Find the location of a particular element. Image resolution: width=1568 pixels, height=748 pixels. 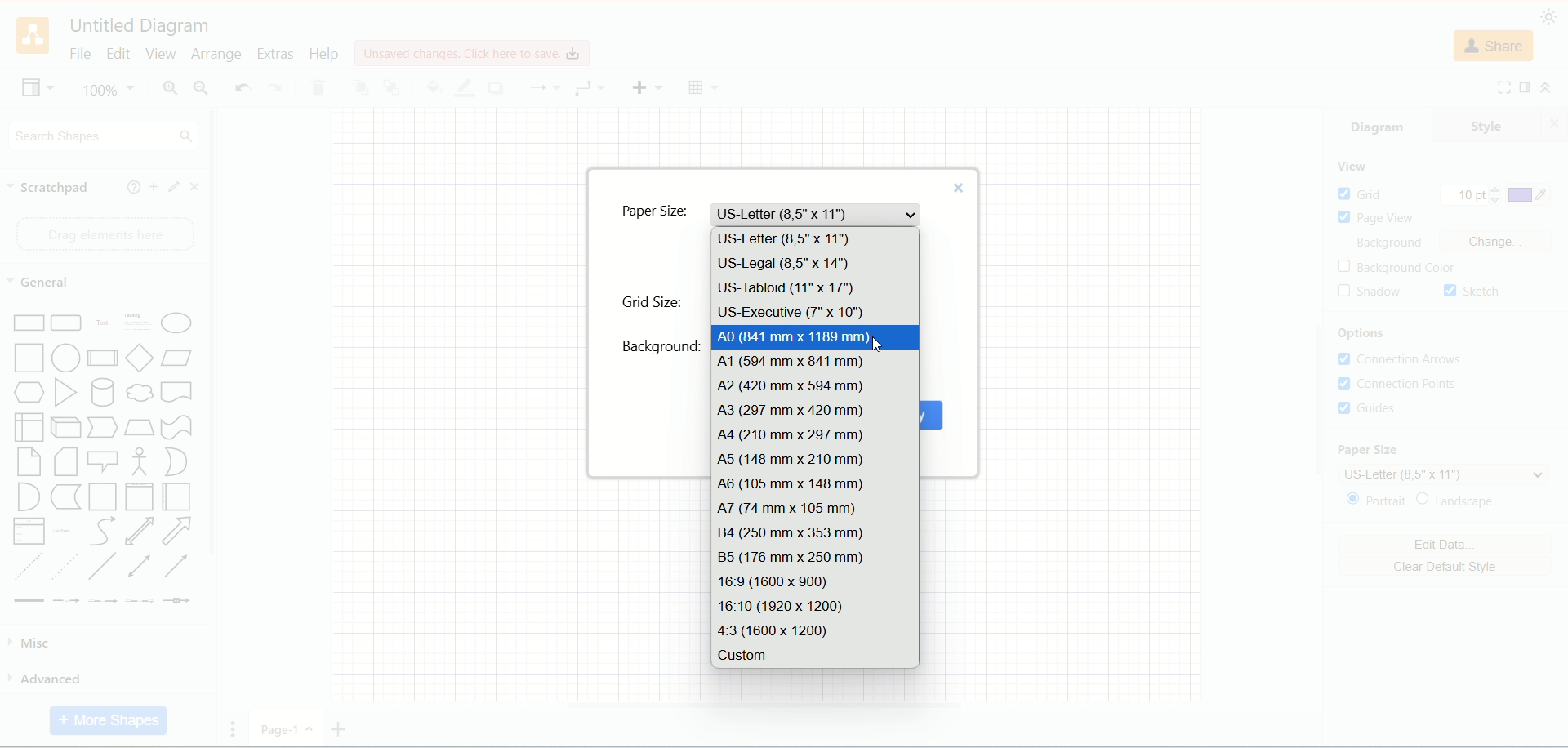

portrait is located at coordinates (1375, 502).